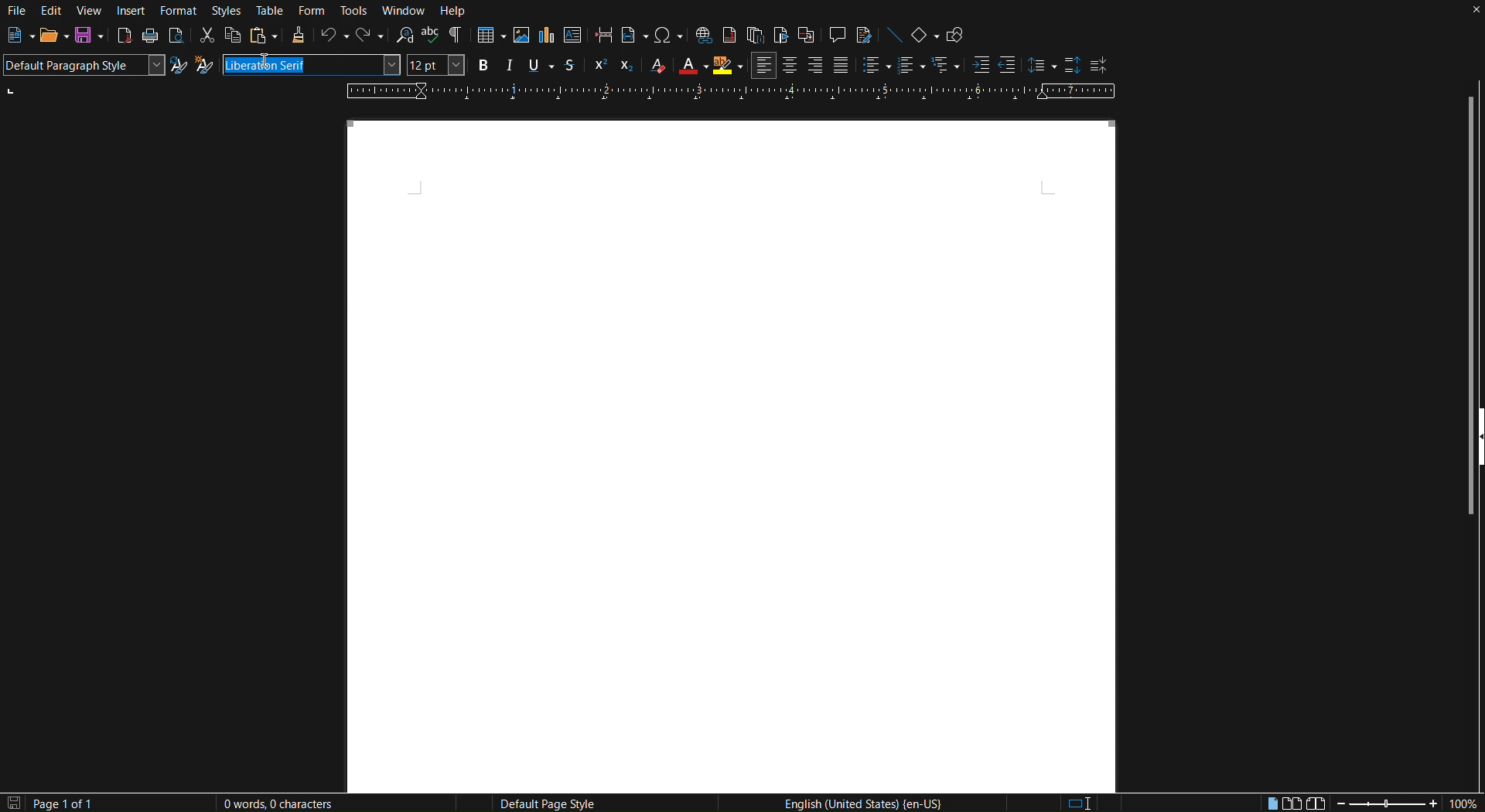 This screenshot has height=812, width=1485. I want to click on Insert, so click(131, 11).